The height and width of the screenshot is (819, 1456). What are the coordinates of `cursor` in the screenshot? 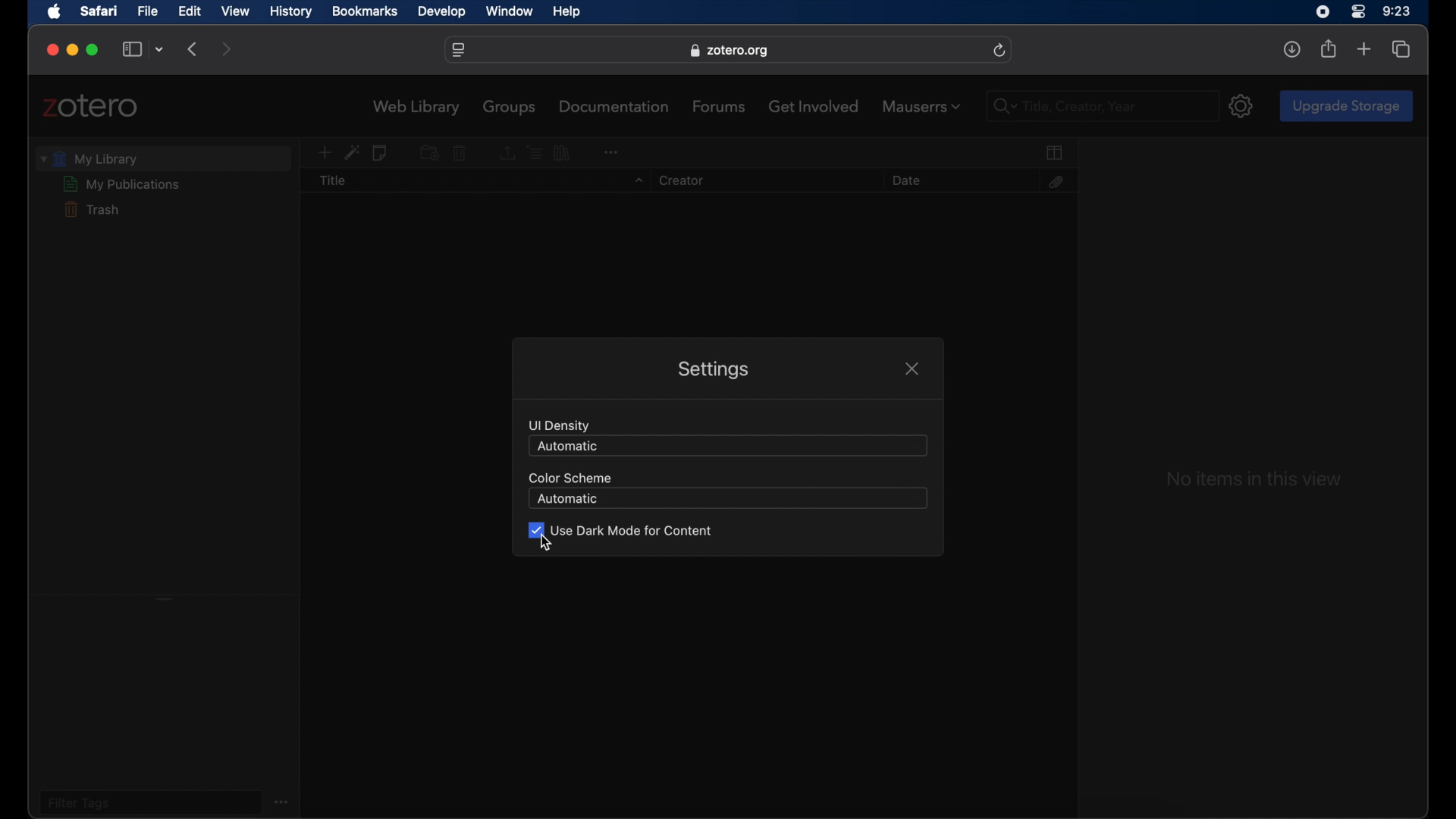 It's located at (546, 544).